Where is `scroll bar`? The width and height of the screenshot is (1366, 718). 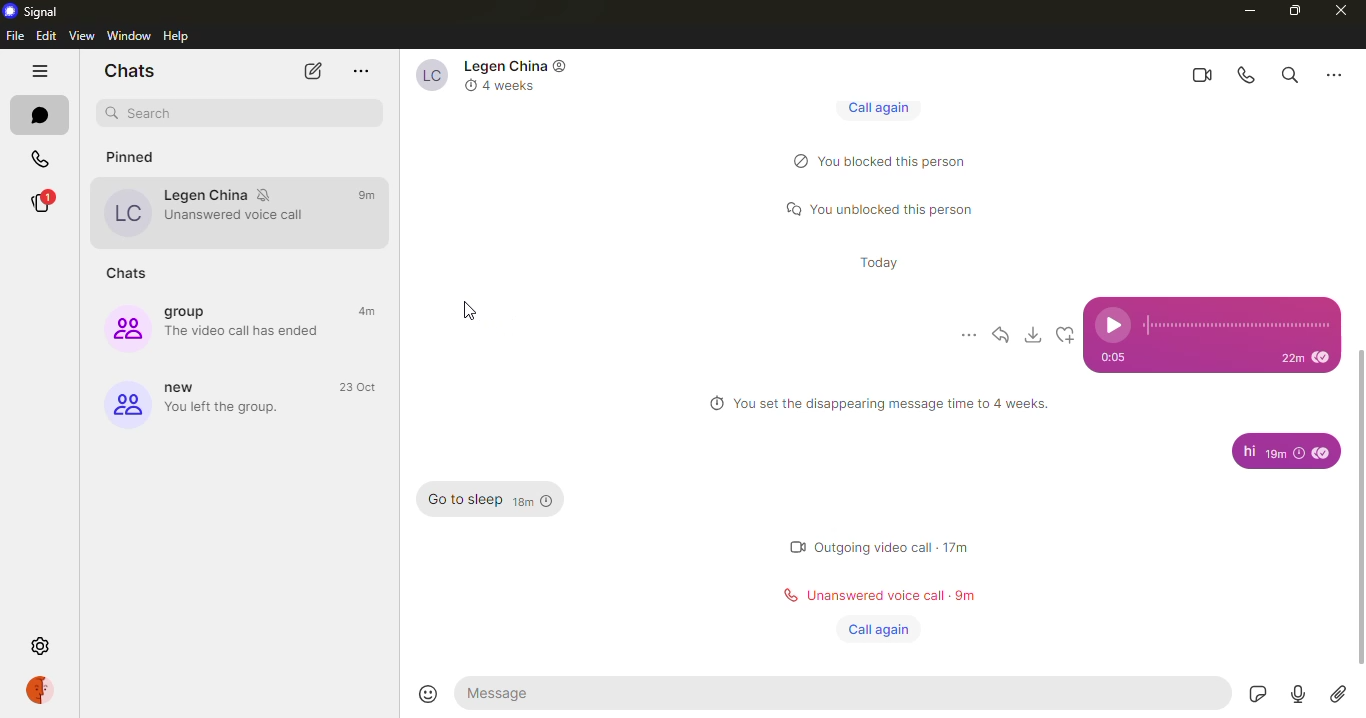
scroll bar is located at coordinates (1359, 513).